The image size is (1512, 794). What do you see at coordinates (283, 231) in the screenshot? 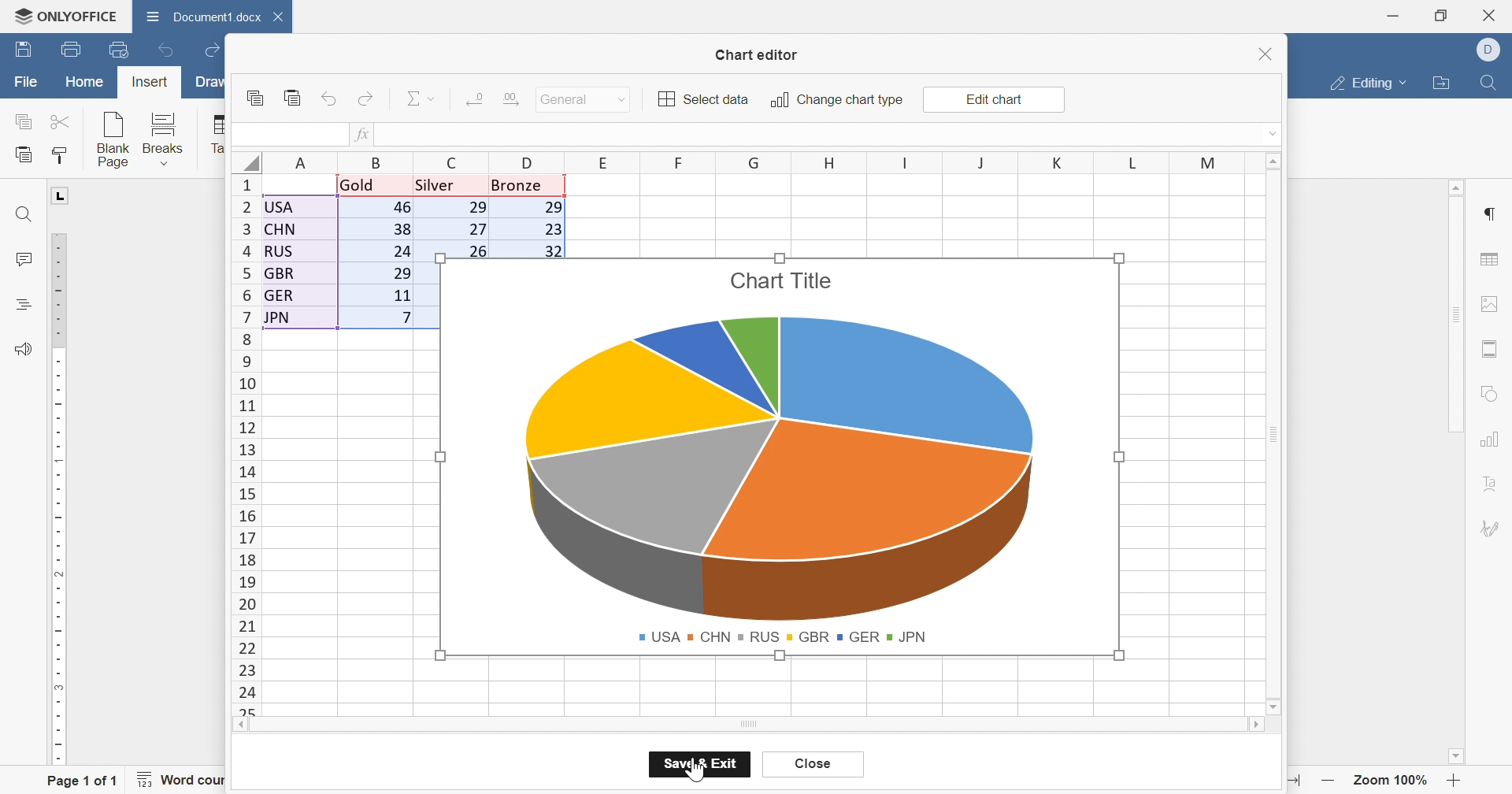
I see `CHN` at bounding box center [283, 231].